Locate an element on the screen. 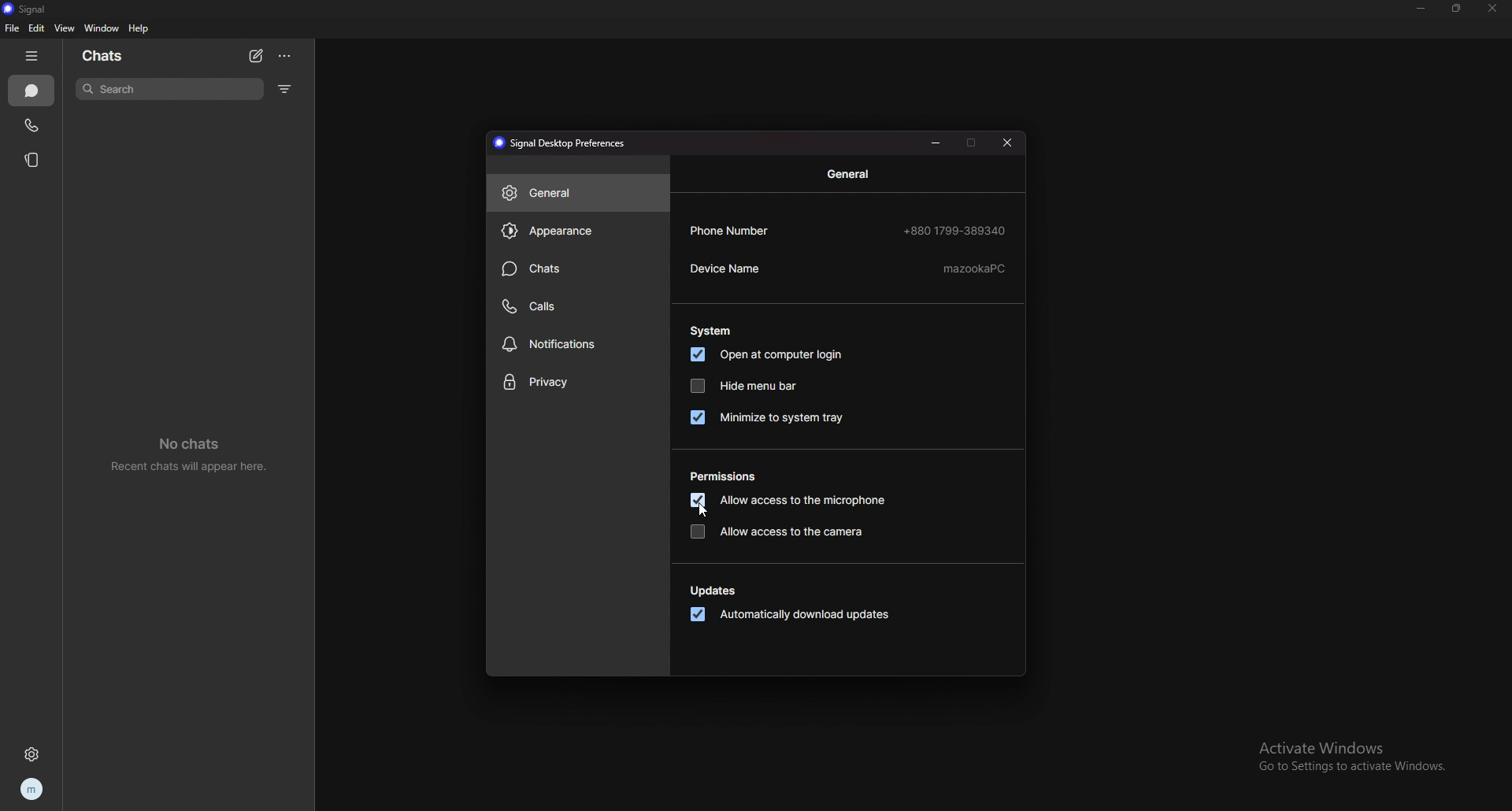 Image resolution: width=1512 pixels, height=811 pixels. edit is located at coordinates (35, 28).